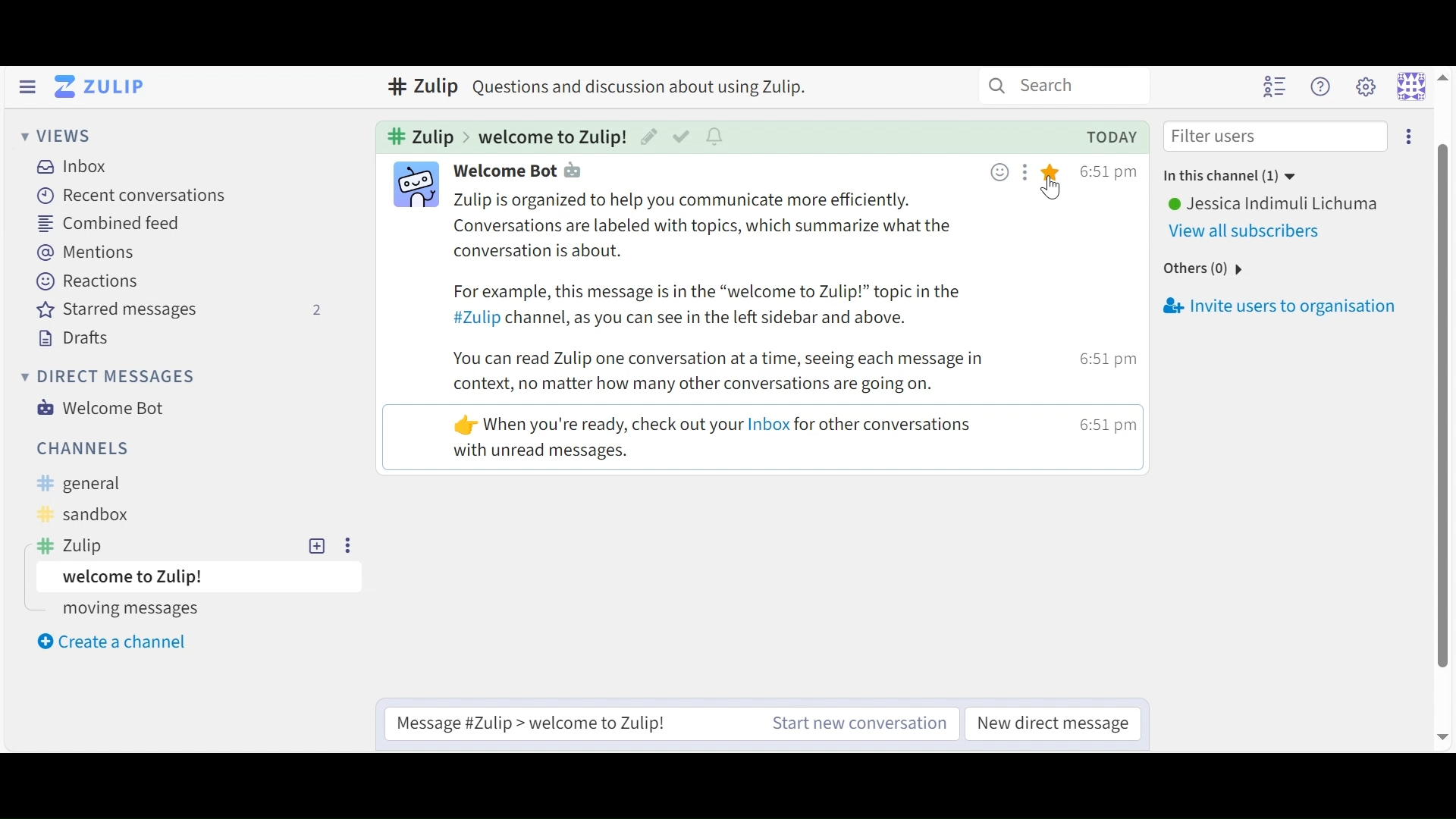 The width and height of the screenshot is (1456, 819). I want to click on Star this message, so click(1050, 171).